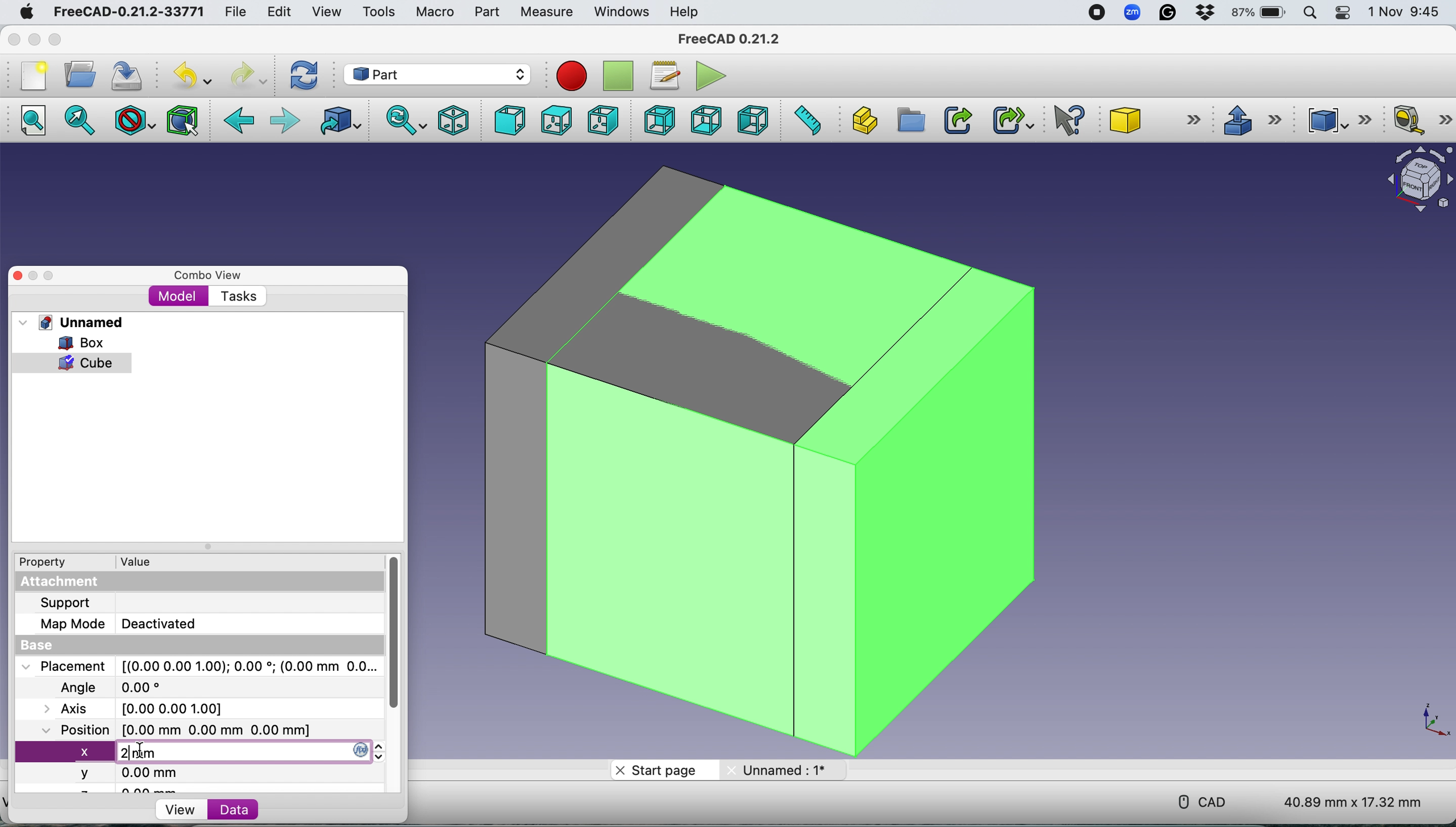  Describe the element at coordinates (436, 73) in the screenshot. I see `Workbench` at that location.